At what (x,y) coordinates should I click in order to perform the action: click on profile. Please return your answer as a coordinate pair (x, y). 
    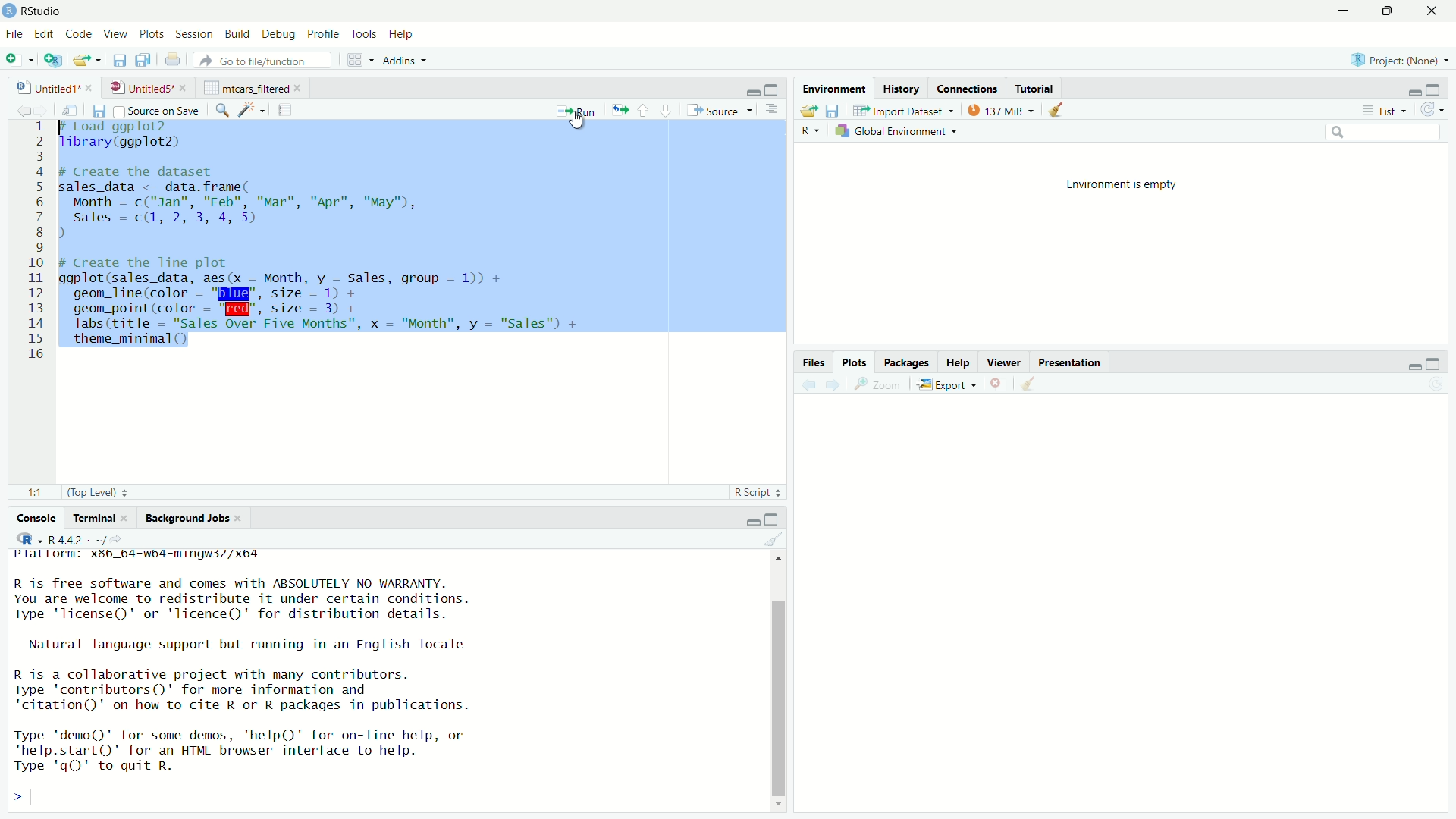
    Looking at the image, I should click on (325, 34).